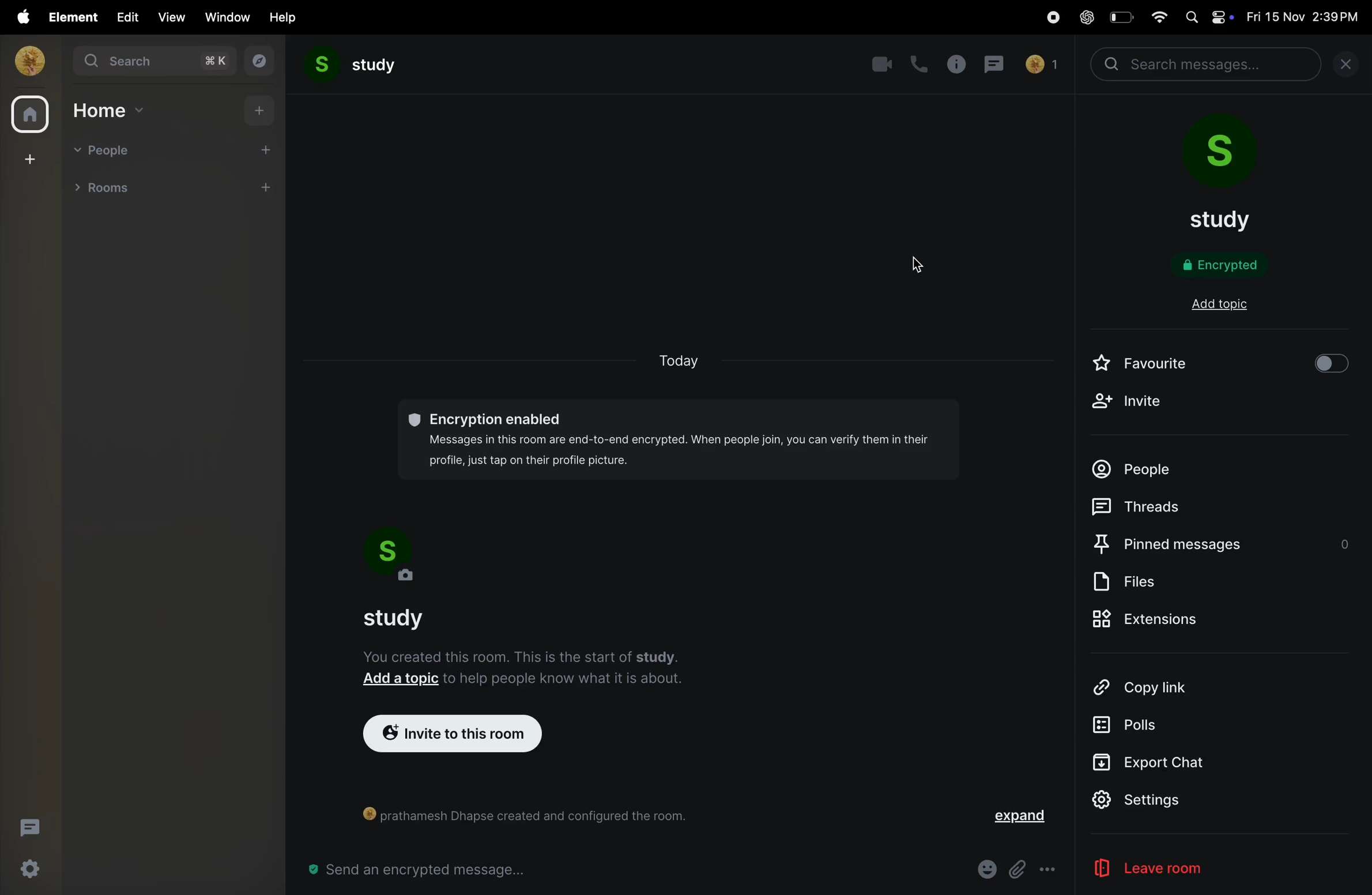 Image resolution: width=1372 pixels, height=895 pixels. Describe the element at coordinates (125, 16) in the screenshot. I see `edit` at that location.